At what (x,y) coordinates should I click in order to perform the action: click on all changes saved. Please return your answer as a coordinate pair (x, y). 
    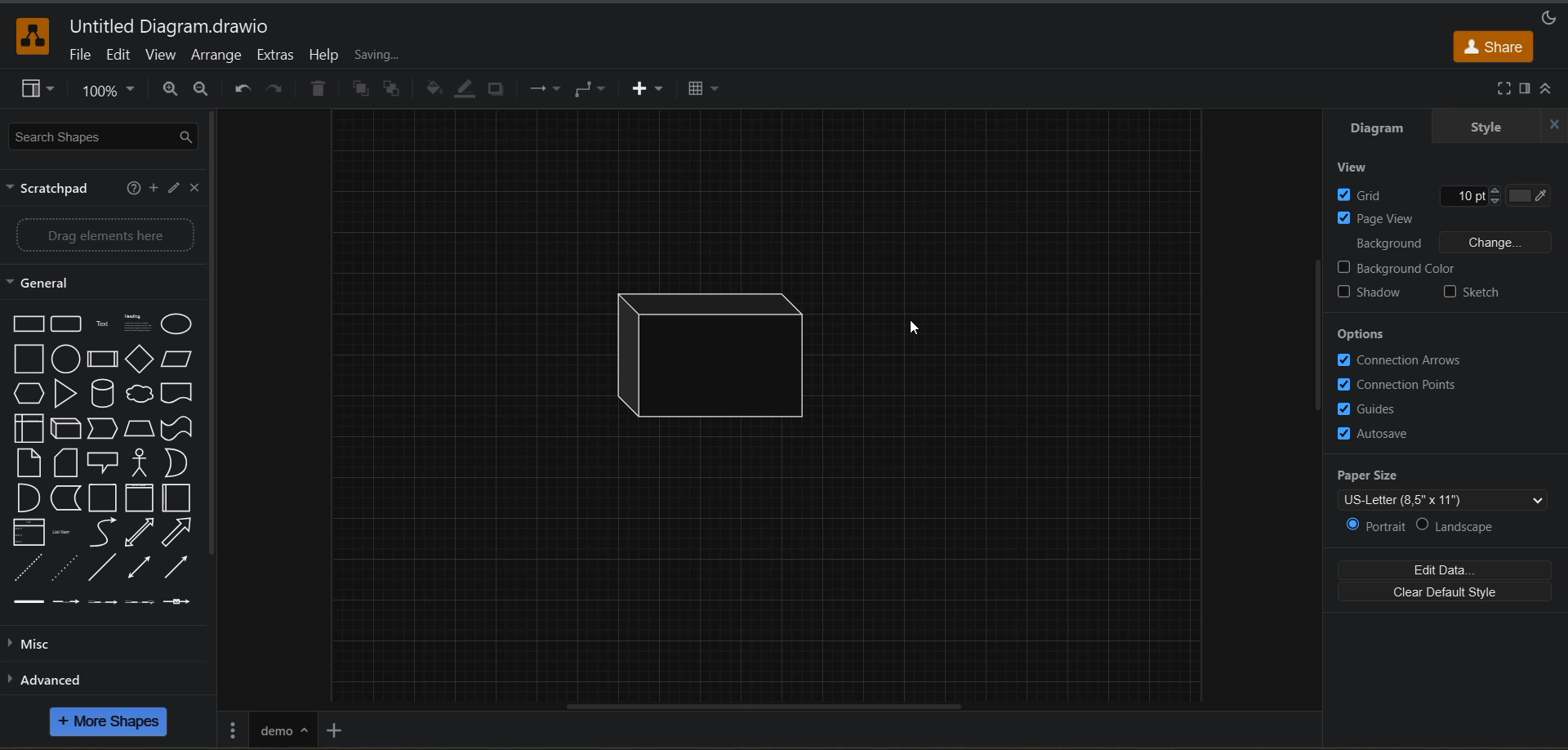
    Looking at the image, I should click on (406, 53).